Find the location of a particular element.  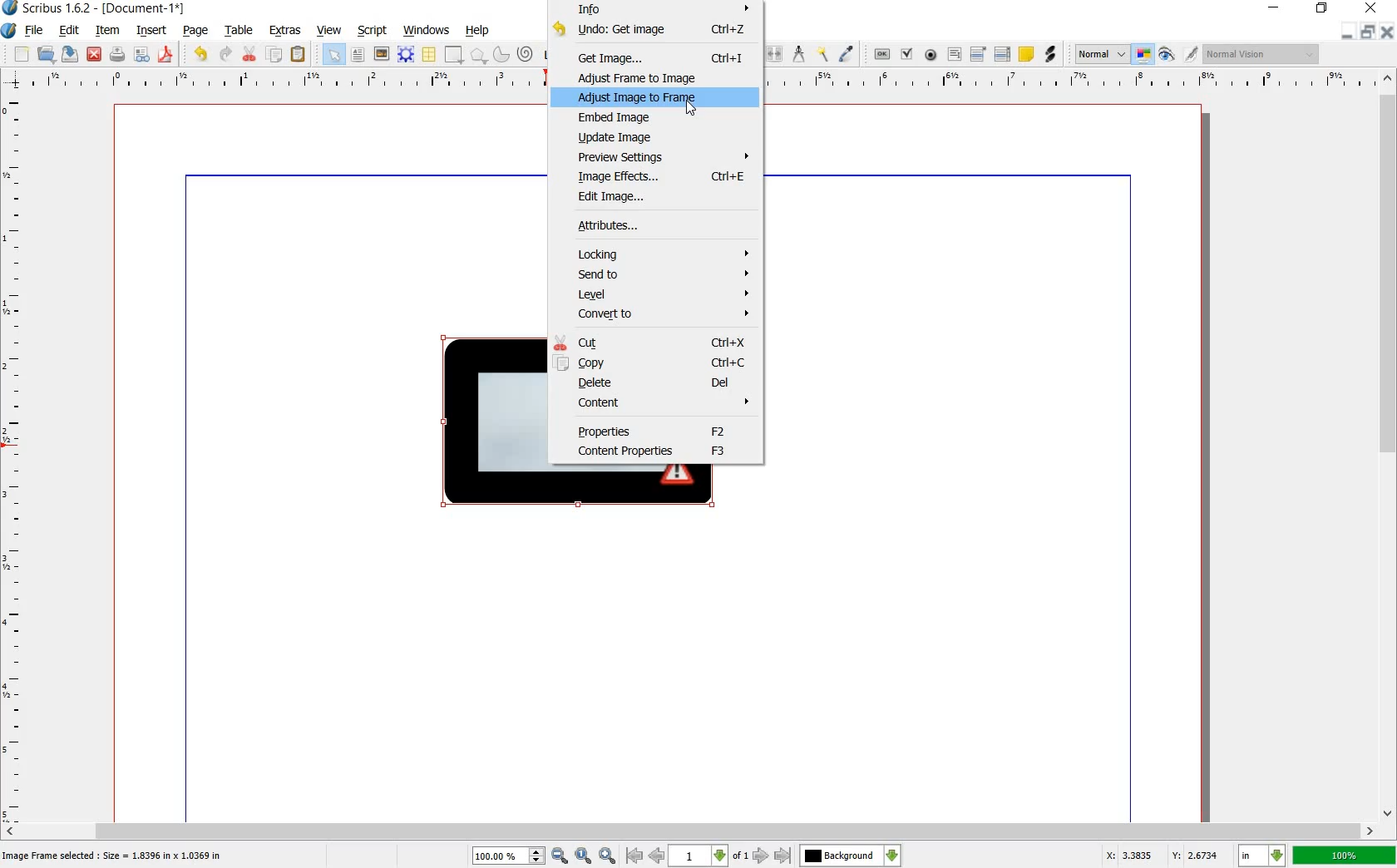

eye dropper is located at coordinates (847, 53).